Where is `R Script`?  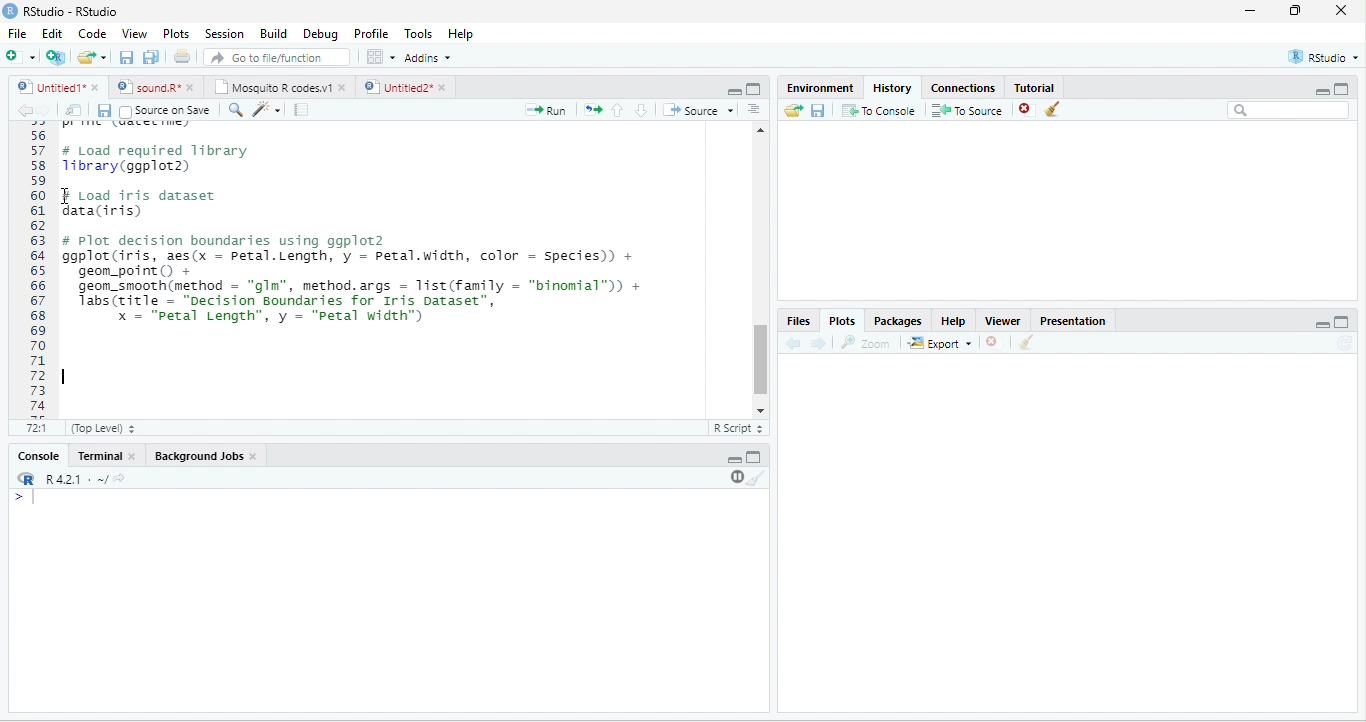 R Script is located at coordinates (737, 428).